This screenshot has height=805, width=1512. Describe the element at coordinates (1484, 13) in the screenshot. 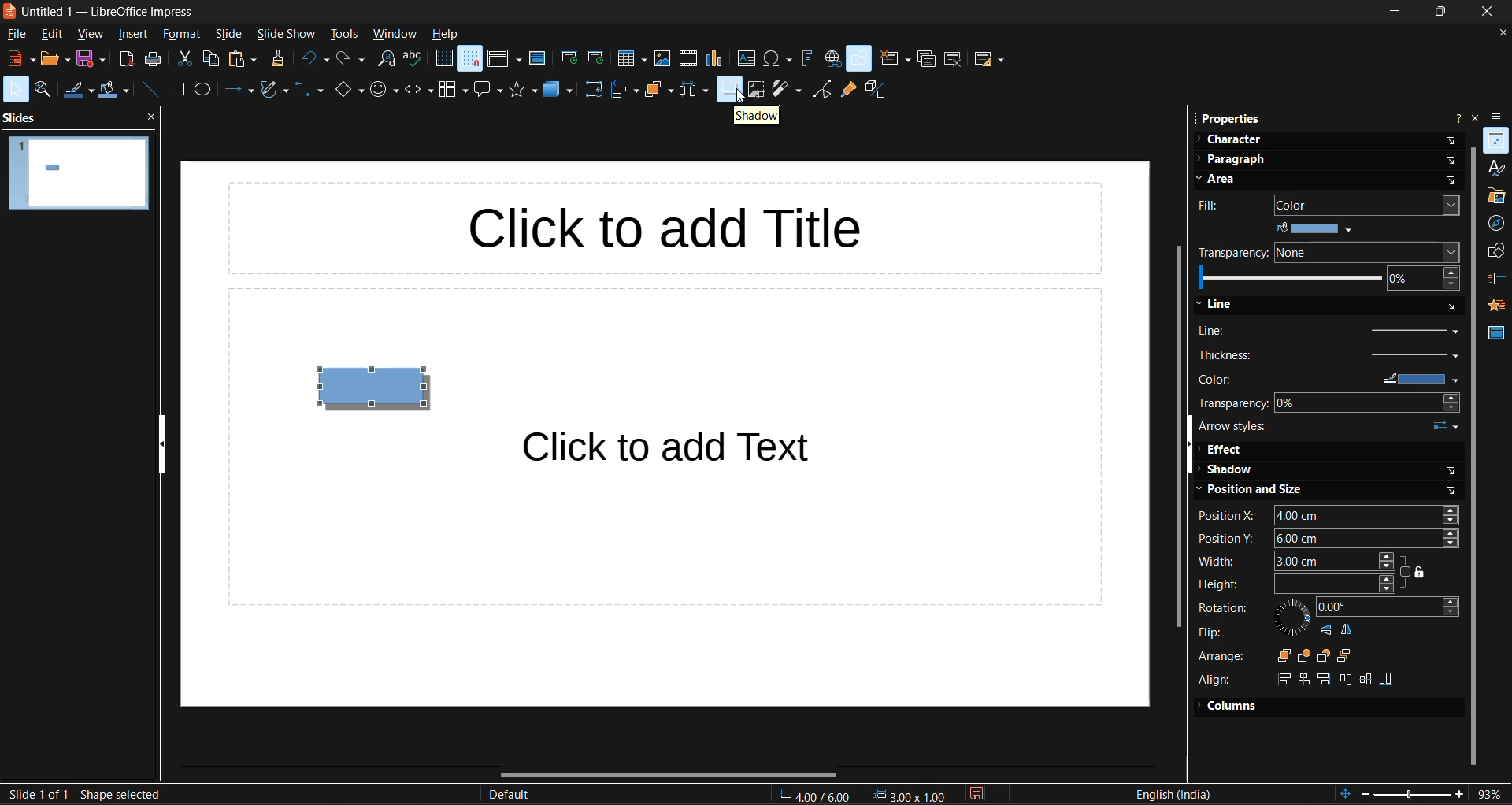

I see `close` at that location.